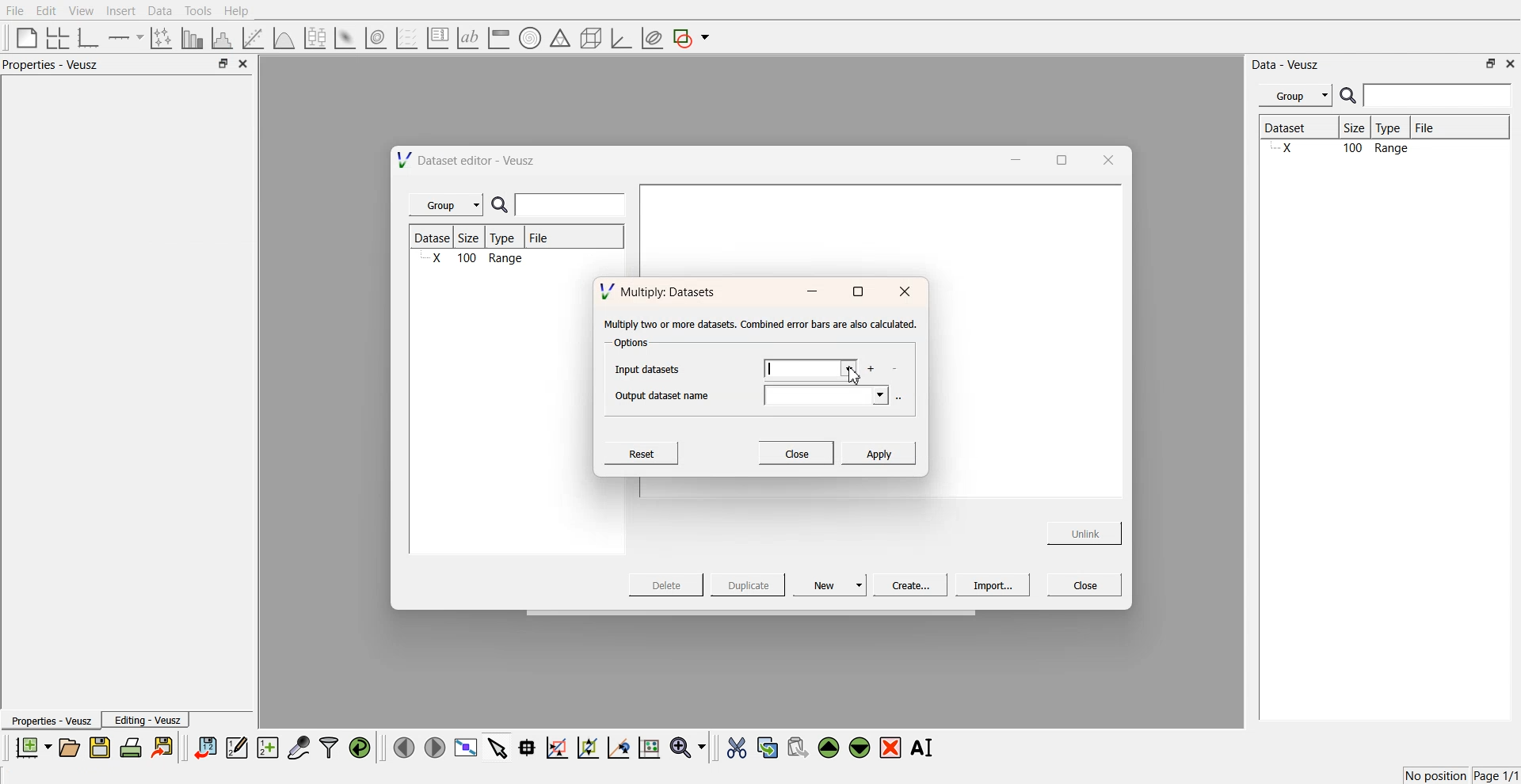 The width and height of the screenshot is (1521, 784). I want to click on Properties - Veusz, so click(55, 65).